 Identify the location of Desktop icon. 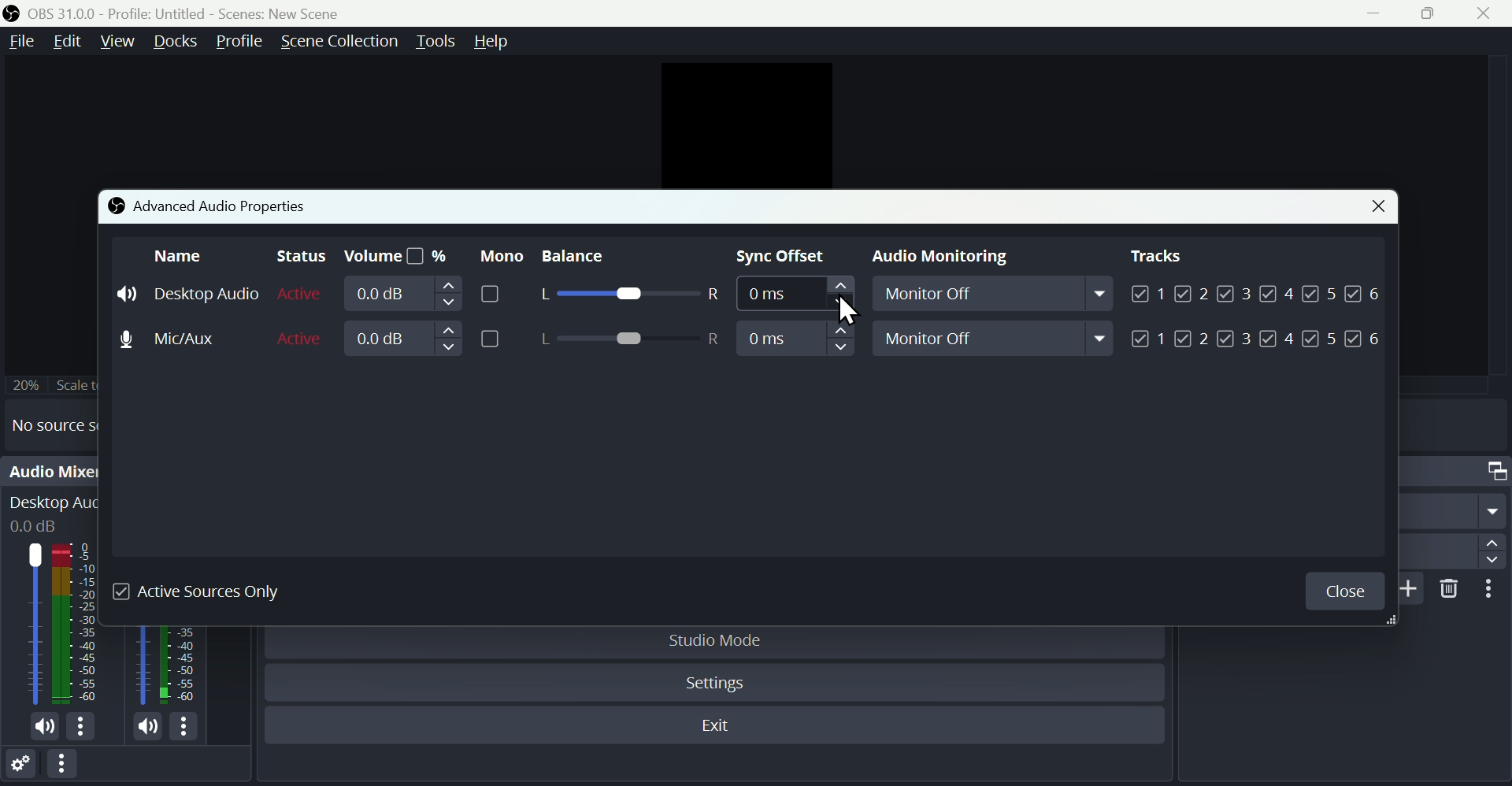
(35, 625).